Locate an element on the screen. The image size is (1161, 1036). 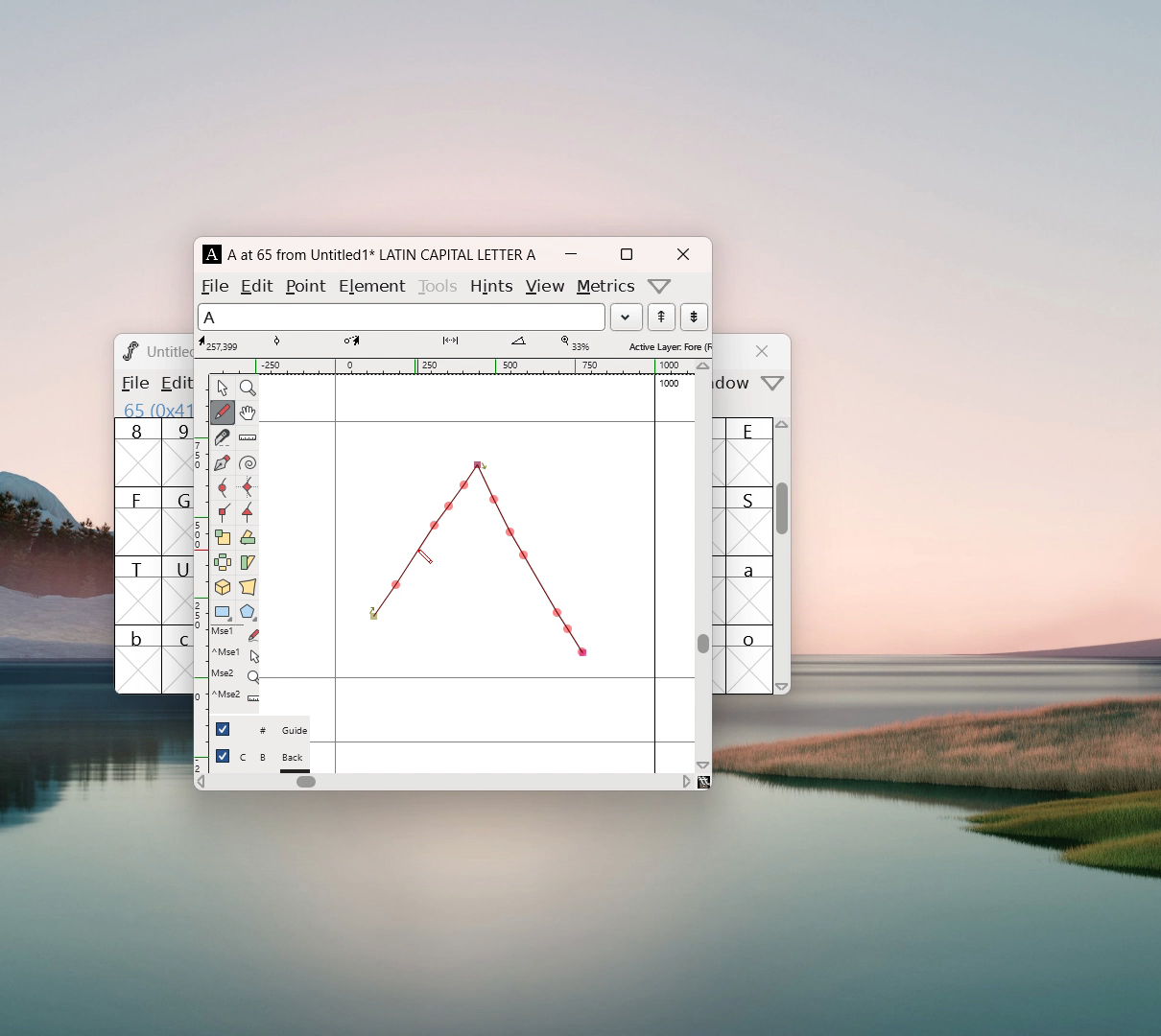
Mse1 is located at coordinates (237, 634).